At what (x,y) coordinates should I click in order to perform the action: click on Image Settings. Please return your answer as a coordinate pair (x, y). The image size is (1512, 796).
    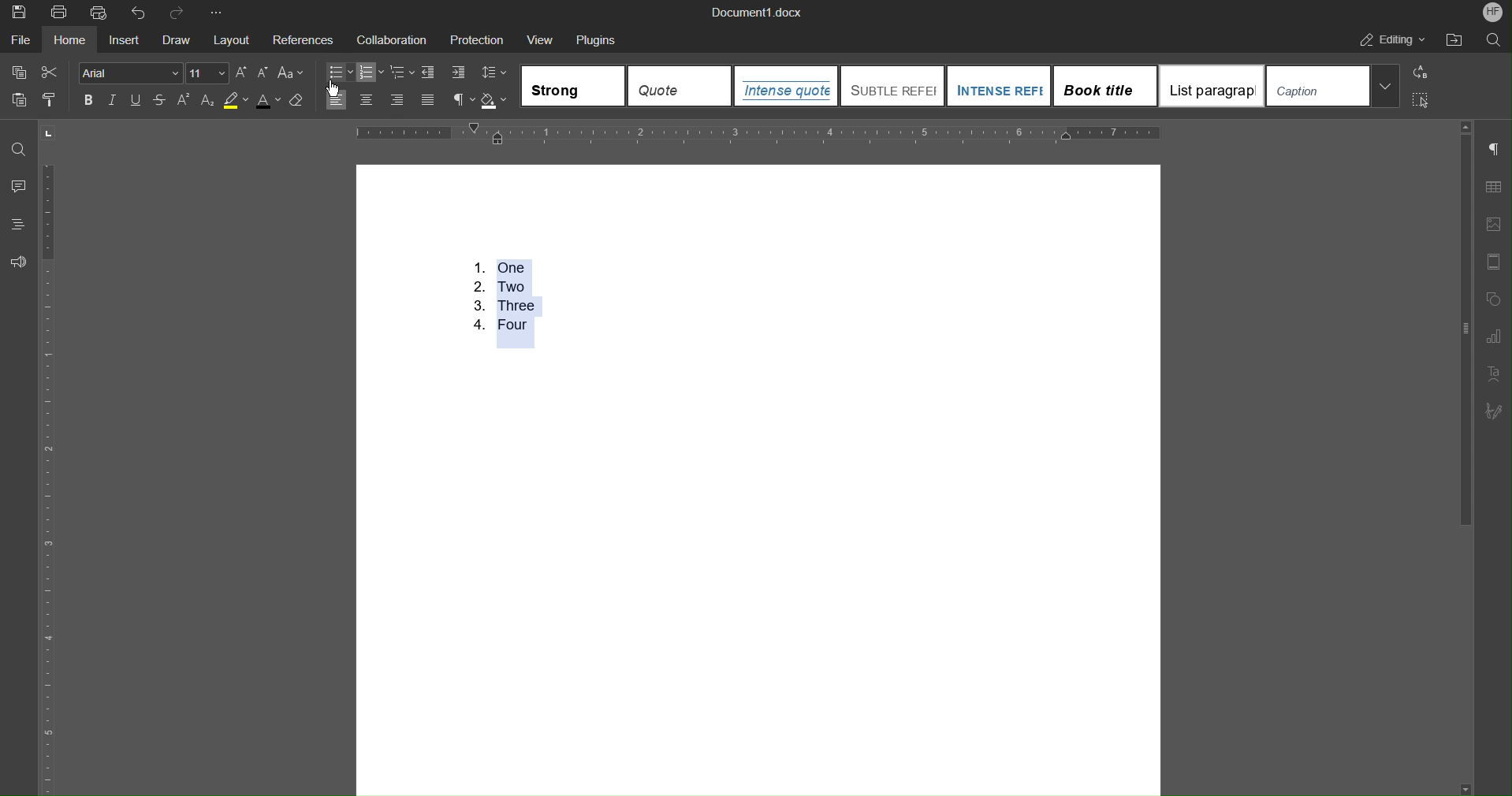
    Looking at the image, I should click on (1492, 225).